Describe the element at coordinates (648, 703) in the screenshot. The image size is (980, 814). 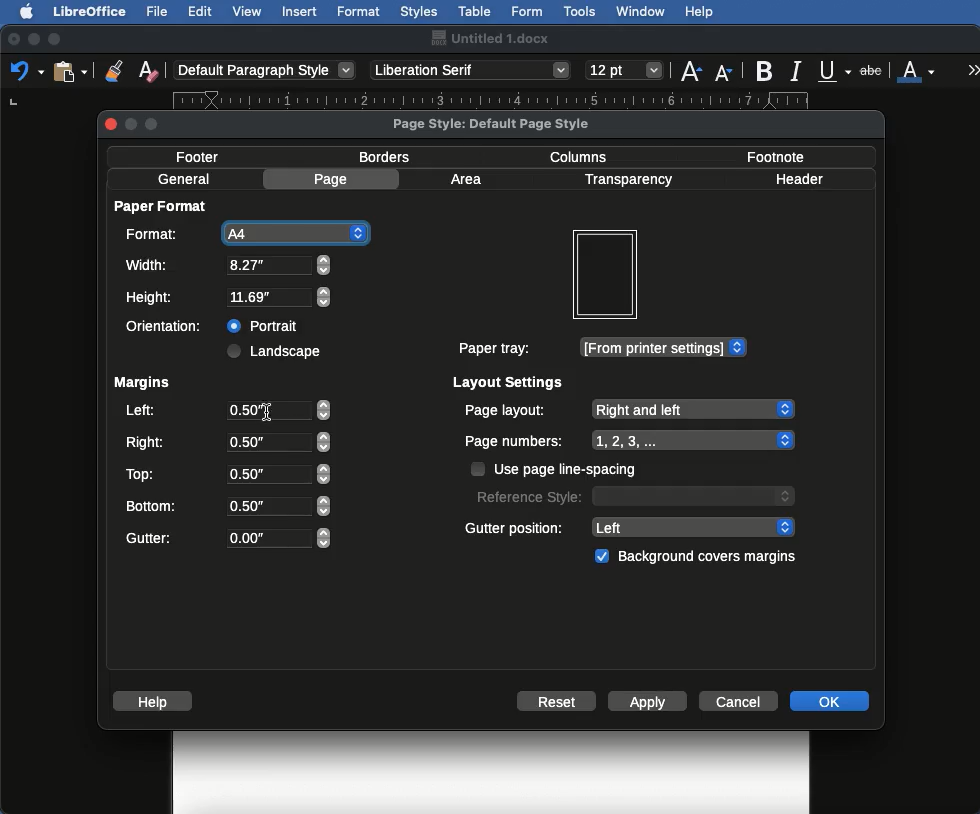
I see `Apply` at that location.